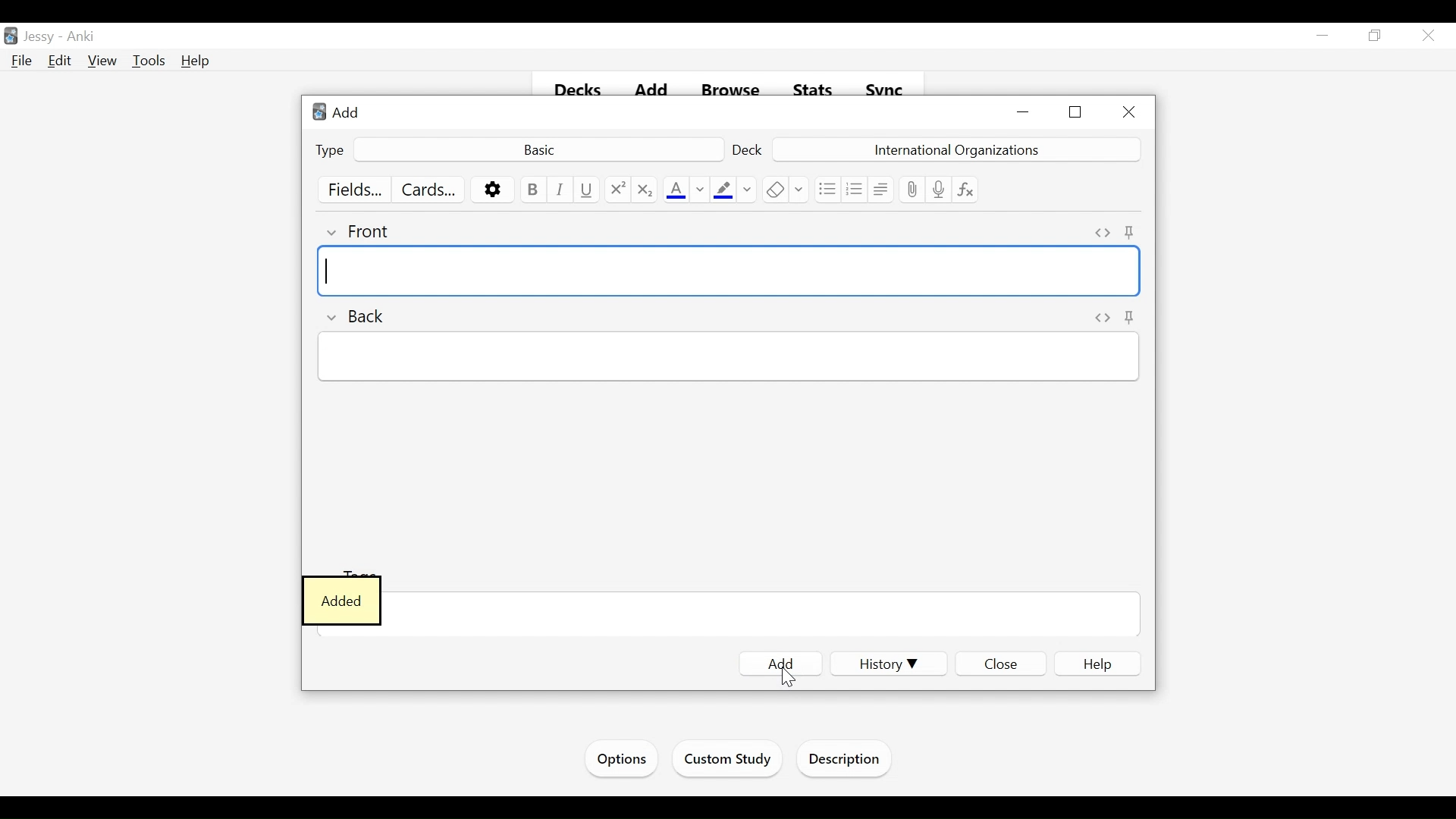 This screenshot has width=1456, height=819. What do you see at coordinates (723, 190) in the screenshot?
I see `Text Highlighting color` at bounding box center [723, 190].